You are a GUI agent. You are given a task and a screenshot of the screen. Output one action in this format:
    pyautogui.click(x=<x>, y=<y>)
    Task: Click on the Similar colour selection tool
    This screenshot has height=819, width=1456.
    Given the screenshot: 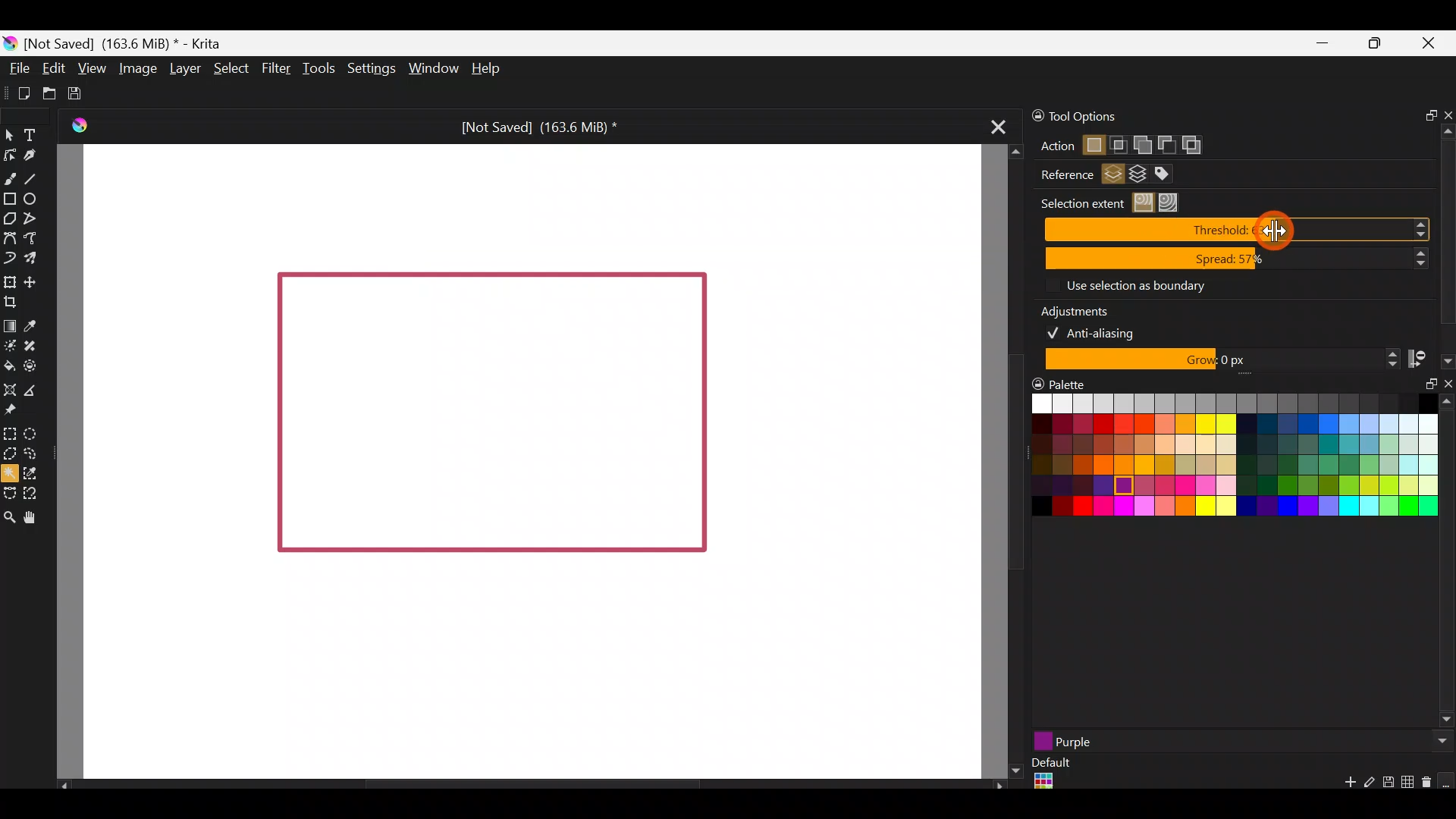 What is the action you would take?
    pyautogui.click(x=42, y=472)
    